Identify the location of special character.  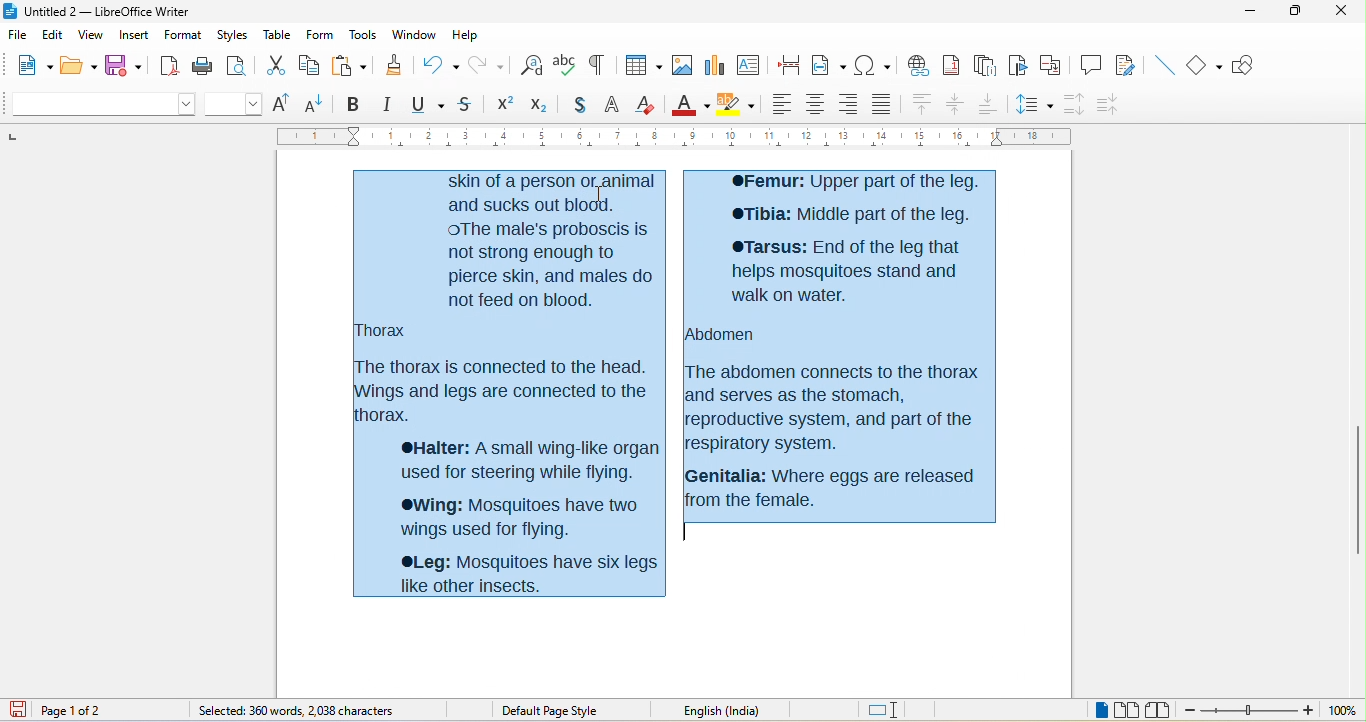
(875, 65).